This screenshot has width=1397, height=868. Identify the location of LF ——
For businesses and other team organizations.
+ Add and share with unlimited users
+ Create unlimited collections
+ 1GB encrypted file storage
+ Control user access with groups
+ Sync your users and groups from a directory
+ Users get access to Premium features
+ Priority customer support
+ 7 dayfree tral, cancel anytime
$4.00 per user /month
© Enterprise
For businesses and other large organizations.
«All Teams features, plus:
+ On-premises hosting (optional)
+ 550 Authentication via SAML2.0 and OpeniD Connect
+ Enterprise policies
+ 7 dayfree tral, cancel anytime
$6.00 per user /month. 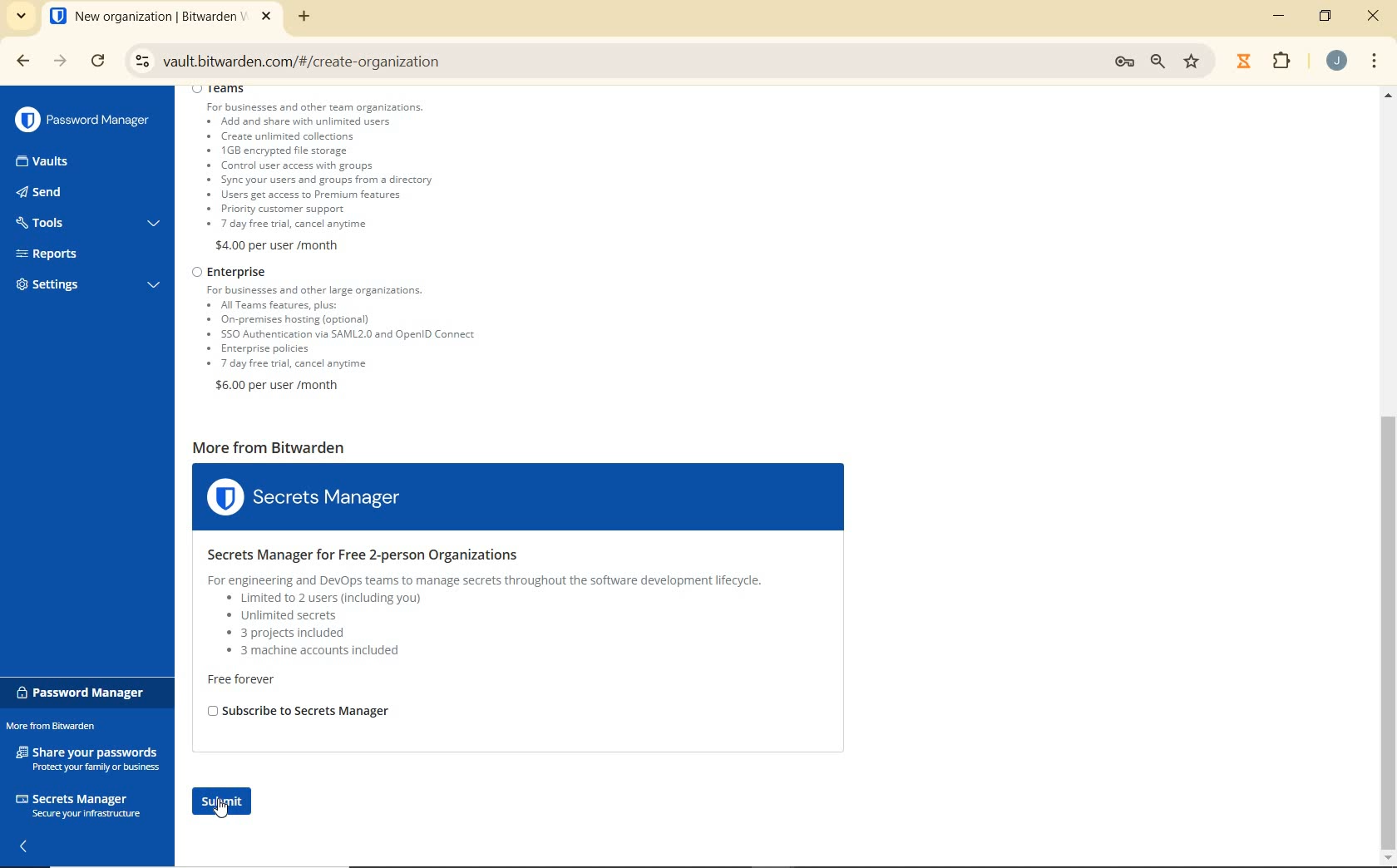
(348, 245).